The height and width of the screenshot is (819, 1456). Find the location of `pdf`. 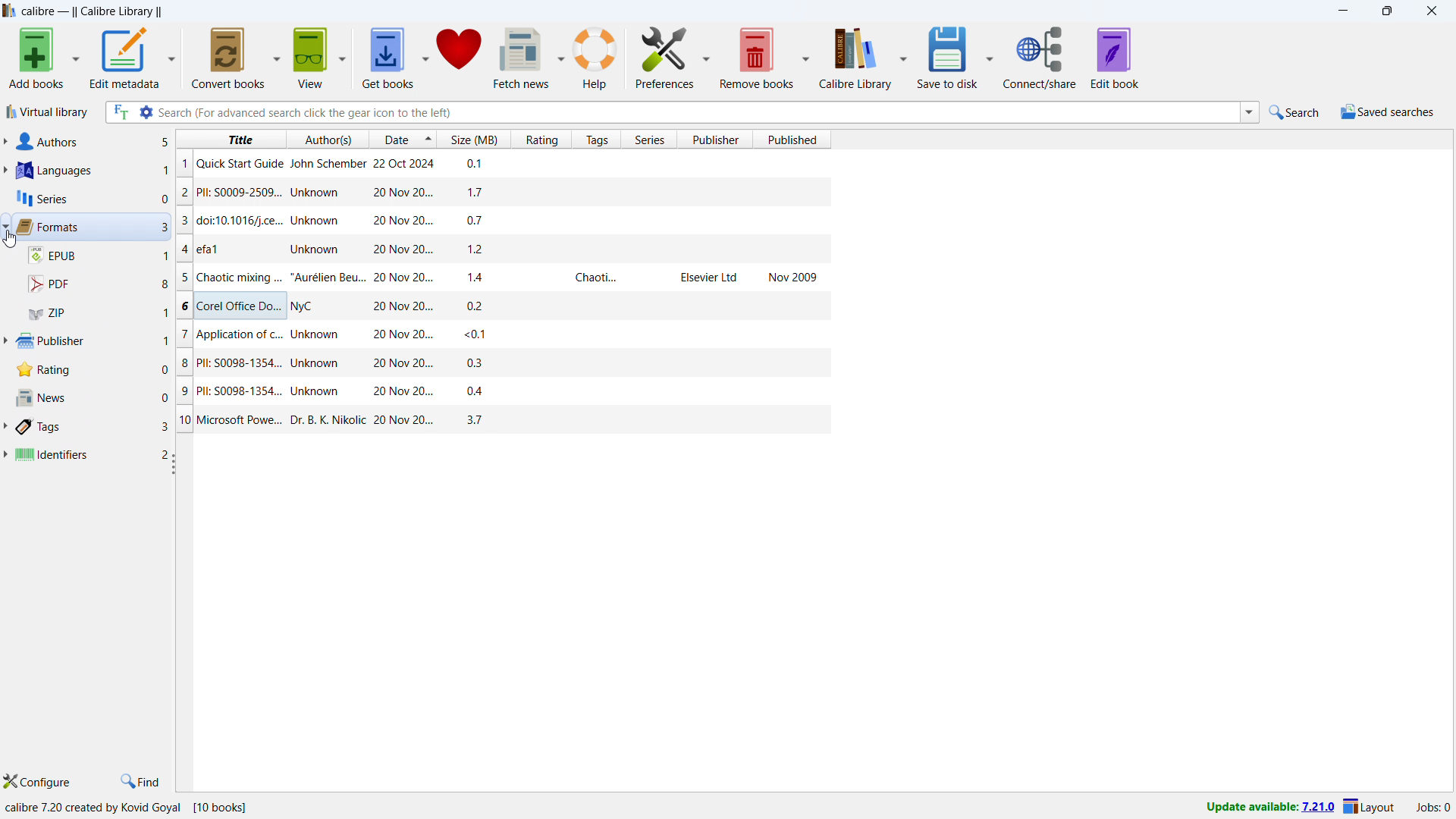

pdf is located at coordinates (97, 284).